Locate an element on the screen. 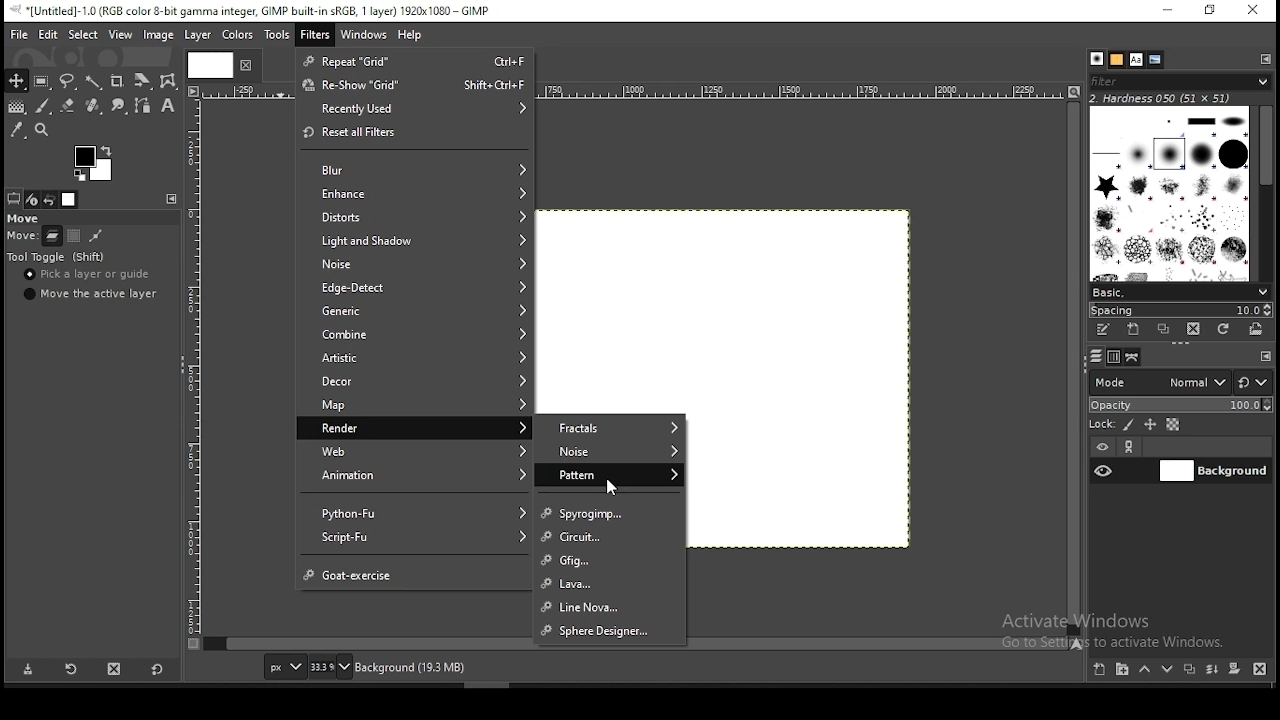  combine is located at coordinates (414, 334).